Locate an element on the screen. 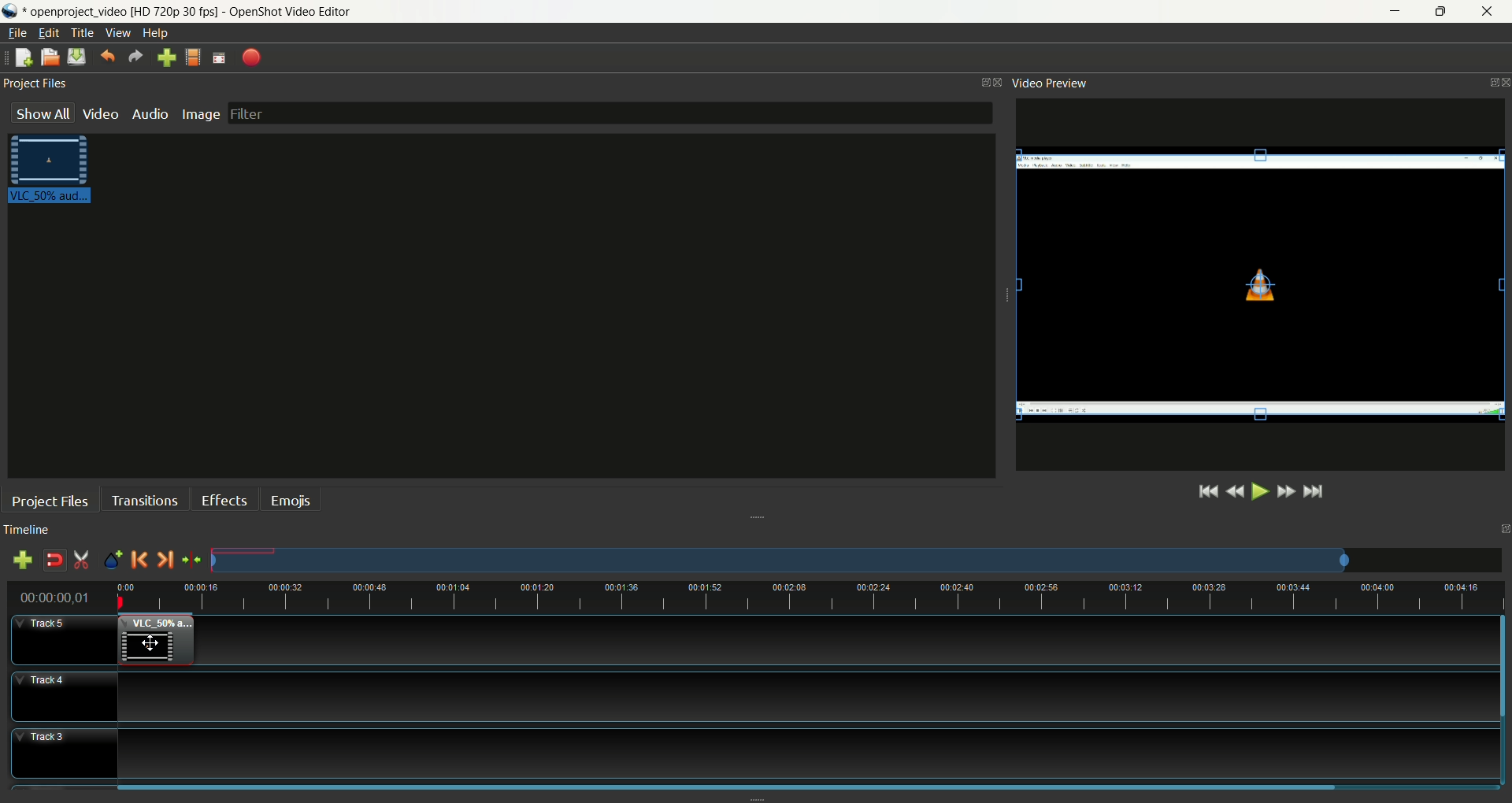 This screenshot has height=803, width=1512. enable razor is located at coordinates (80, 561).